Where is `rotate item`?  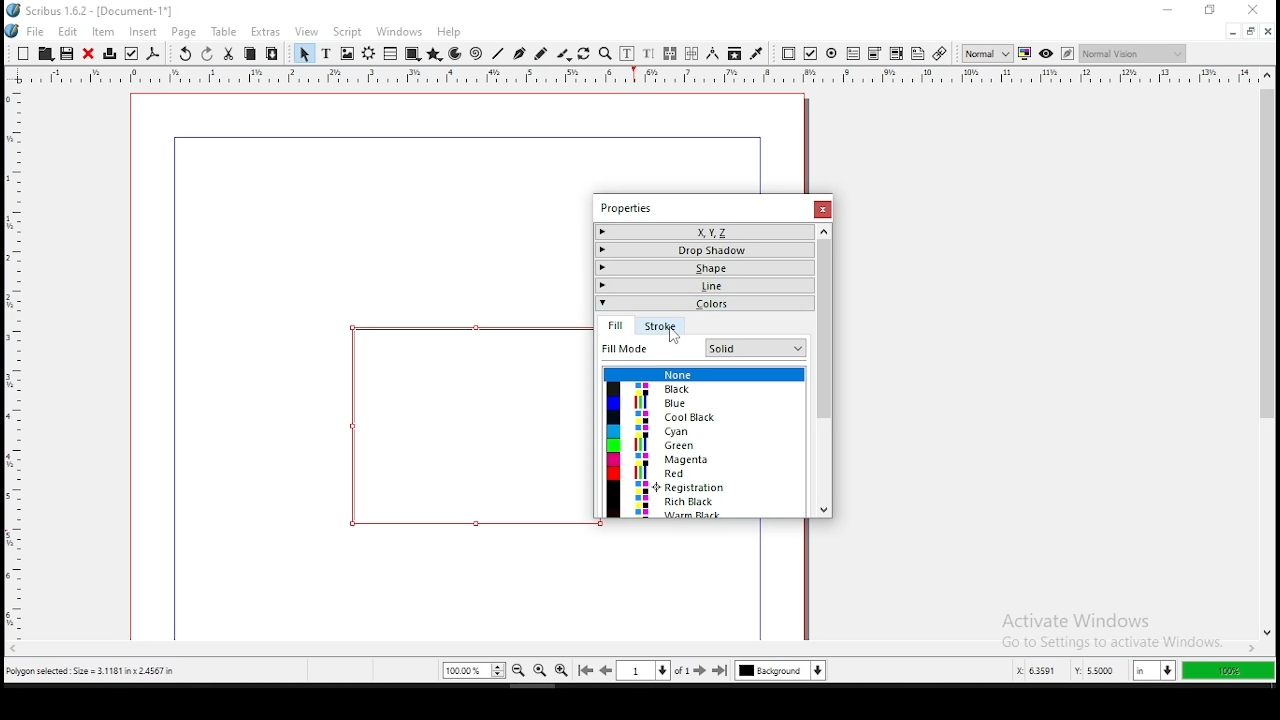
rotate item is located at coordinates (584, 54).